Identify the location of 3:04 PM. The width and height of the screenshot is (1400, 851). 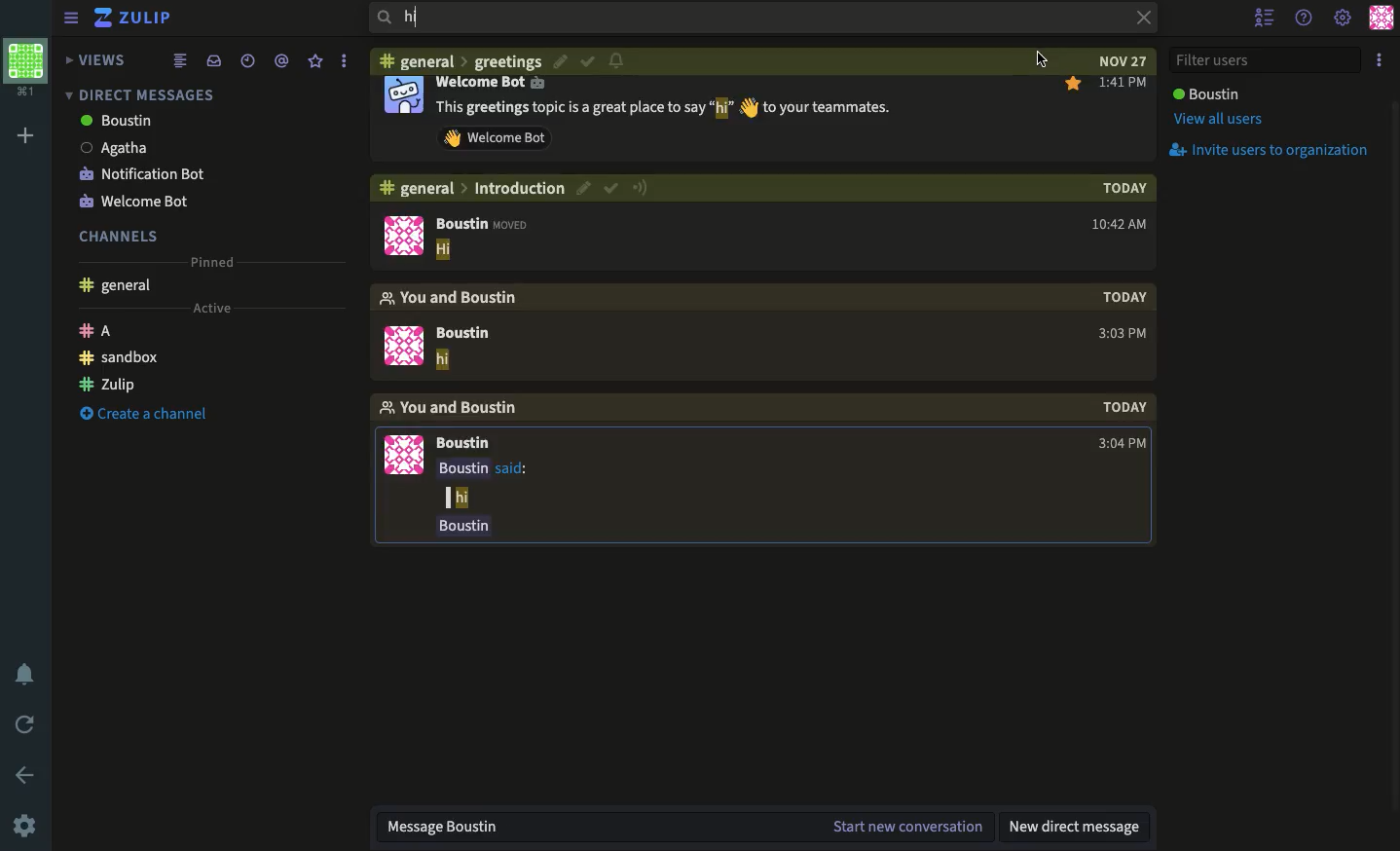
(1121, 444).